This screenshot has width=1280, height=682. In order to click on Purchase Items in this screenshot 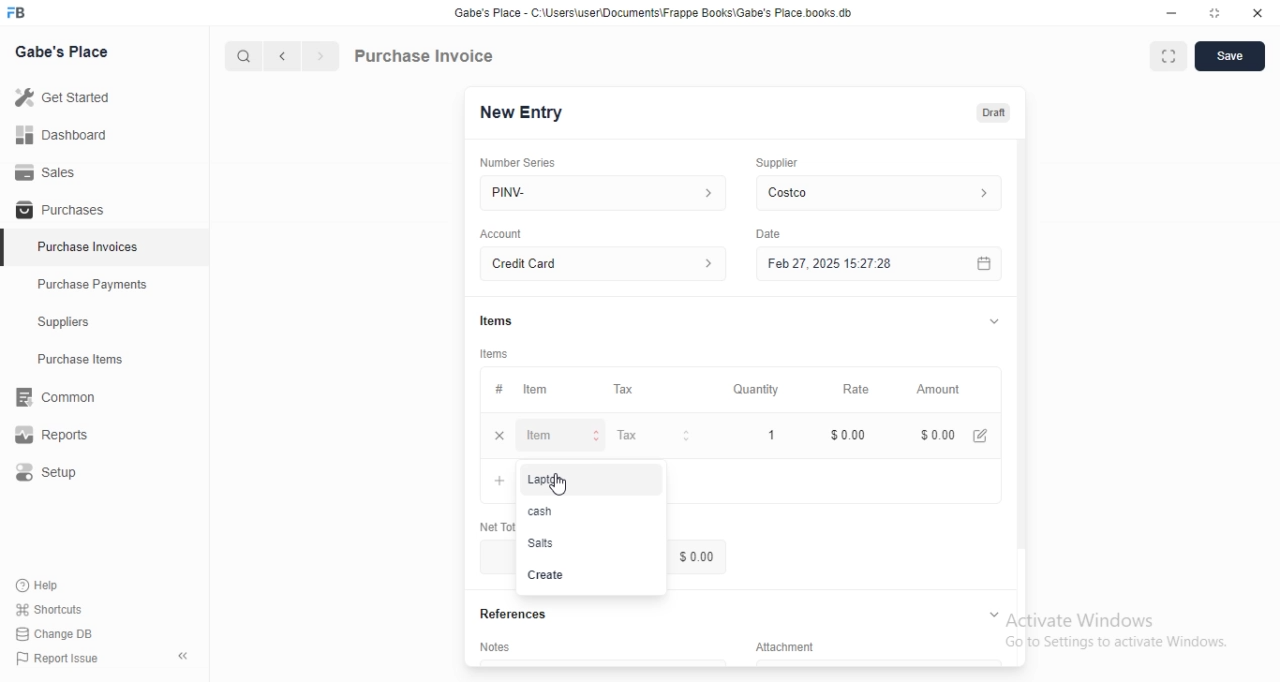, I will do `click(105, 359)`.